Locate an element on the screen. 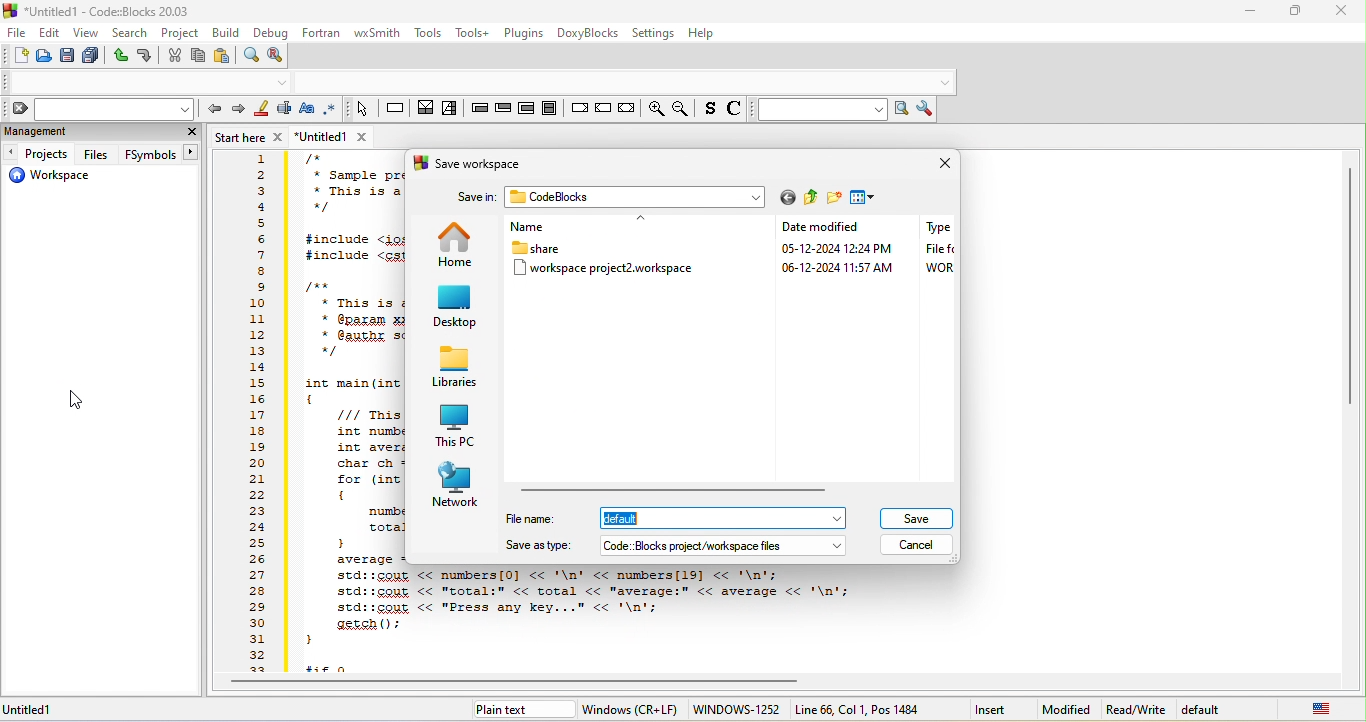 Image resolution: width=1366 pixels, height=722 pixels. paste is located at coordinates (222, 56).